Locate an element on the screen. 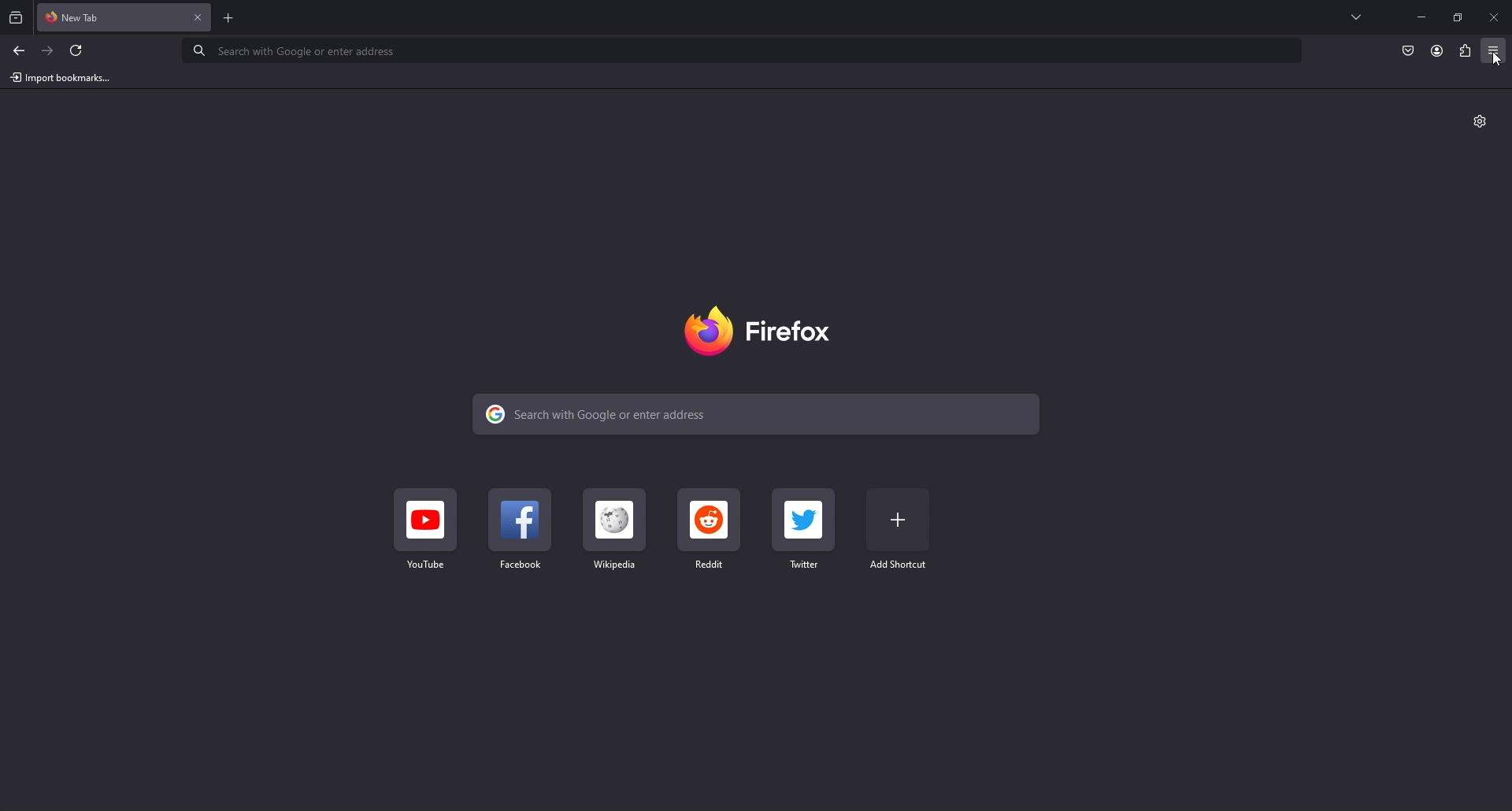 This screenshot has height=811, width=1512. resize is located at coordinates (1458, 17).